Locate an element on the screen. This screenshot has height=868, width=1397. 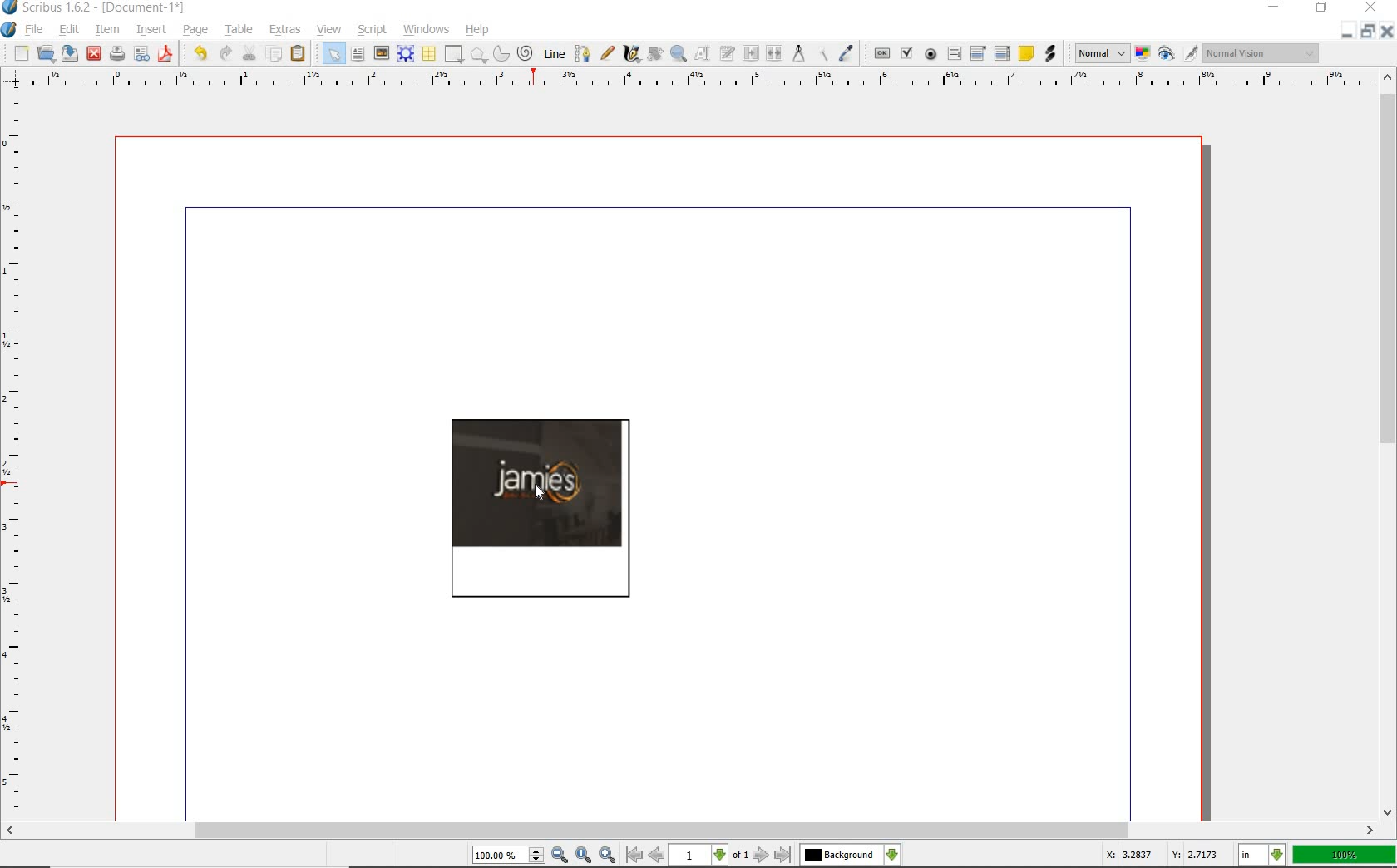
open is located at coordinates (46, 53).